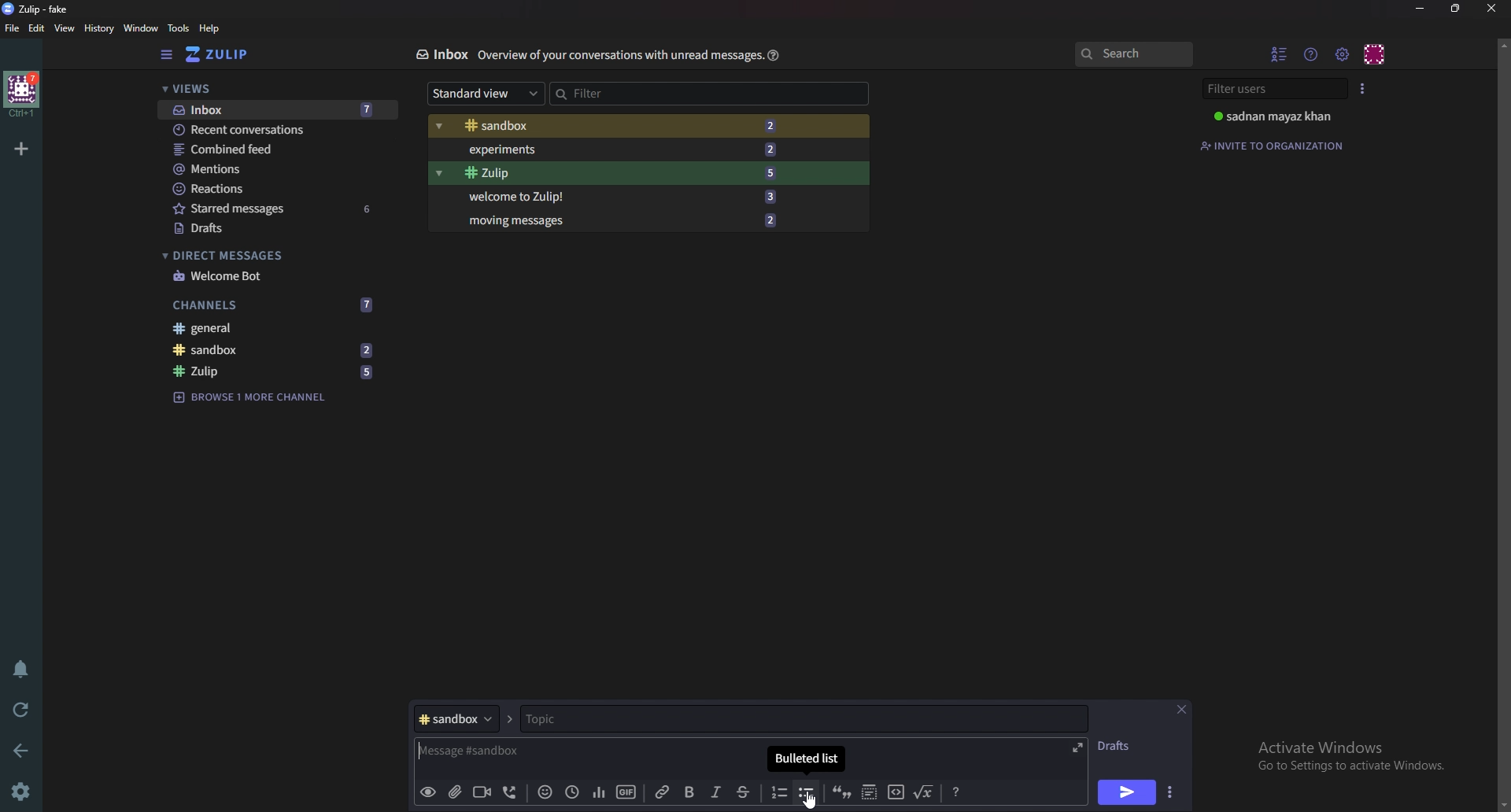 The image size is (1511, 812). What do you see at coordinates (807, 792) in the screenshot?
I see `Bullet list` at bounding box center [807, 792].